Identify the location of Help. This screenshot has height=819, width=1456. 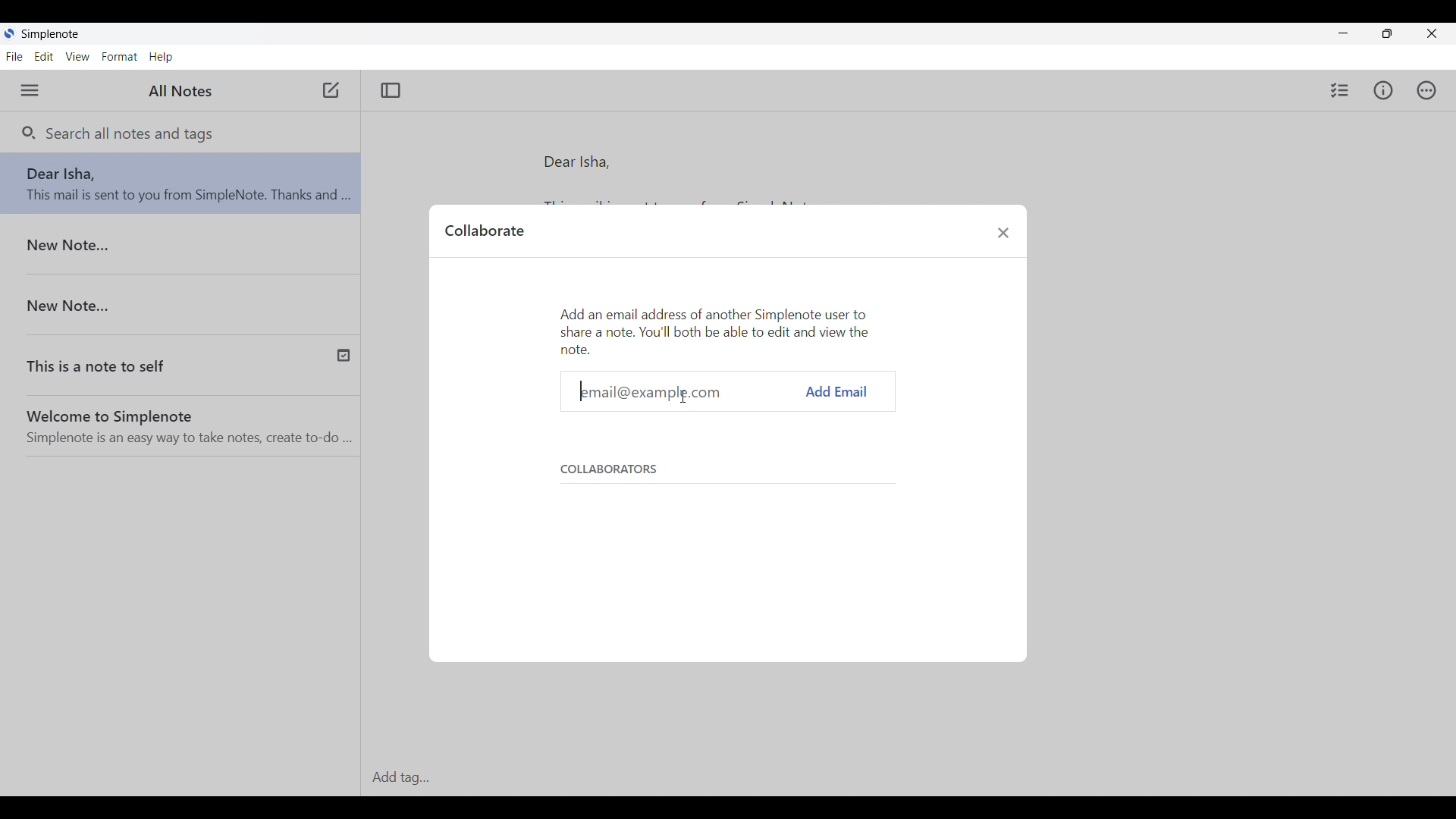
(162, 57).